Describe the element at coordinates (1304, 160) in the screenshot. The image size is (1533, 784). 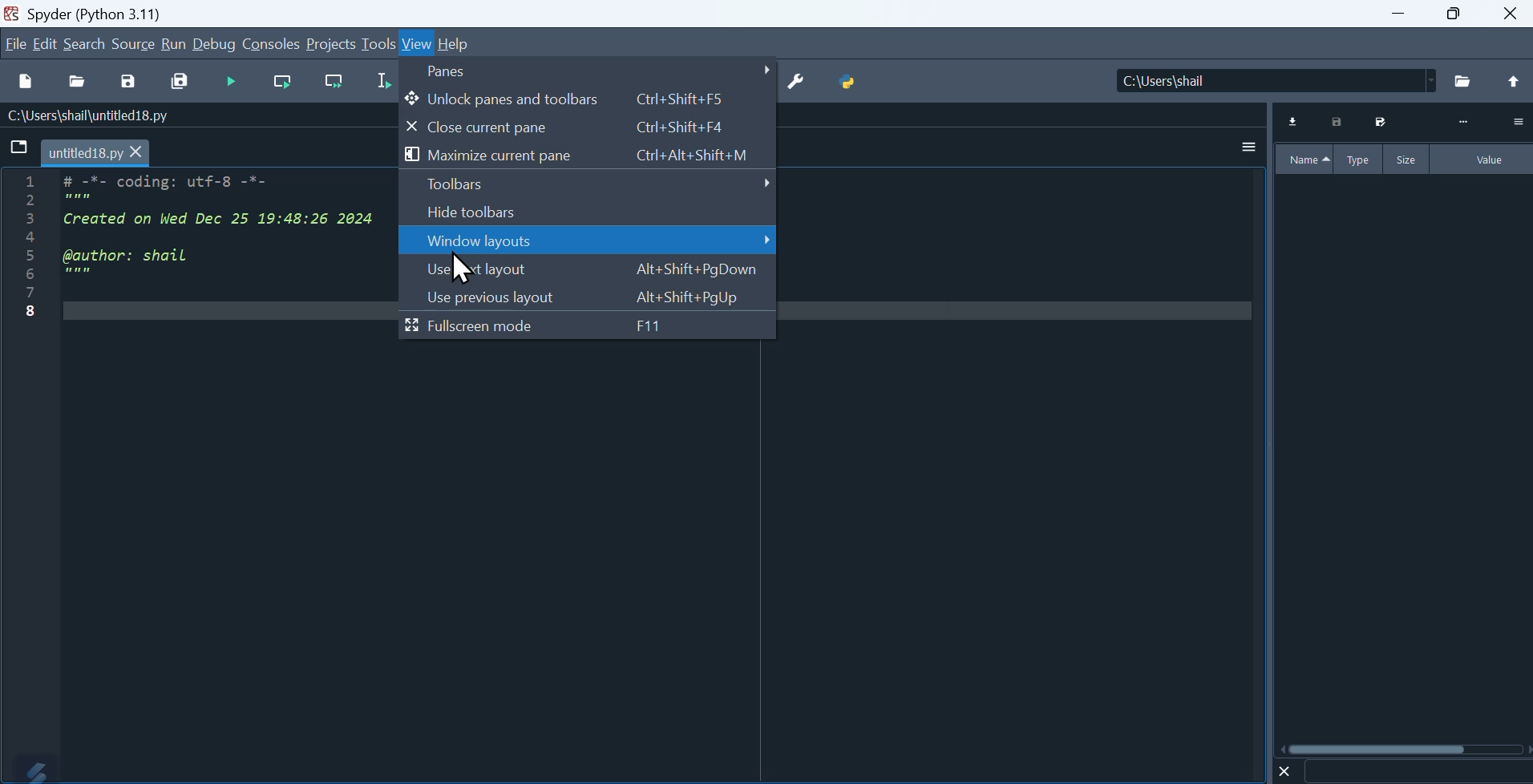
I see `Name` at that location.